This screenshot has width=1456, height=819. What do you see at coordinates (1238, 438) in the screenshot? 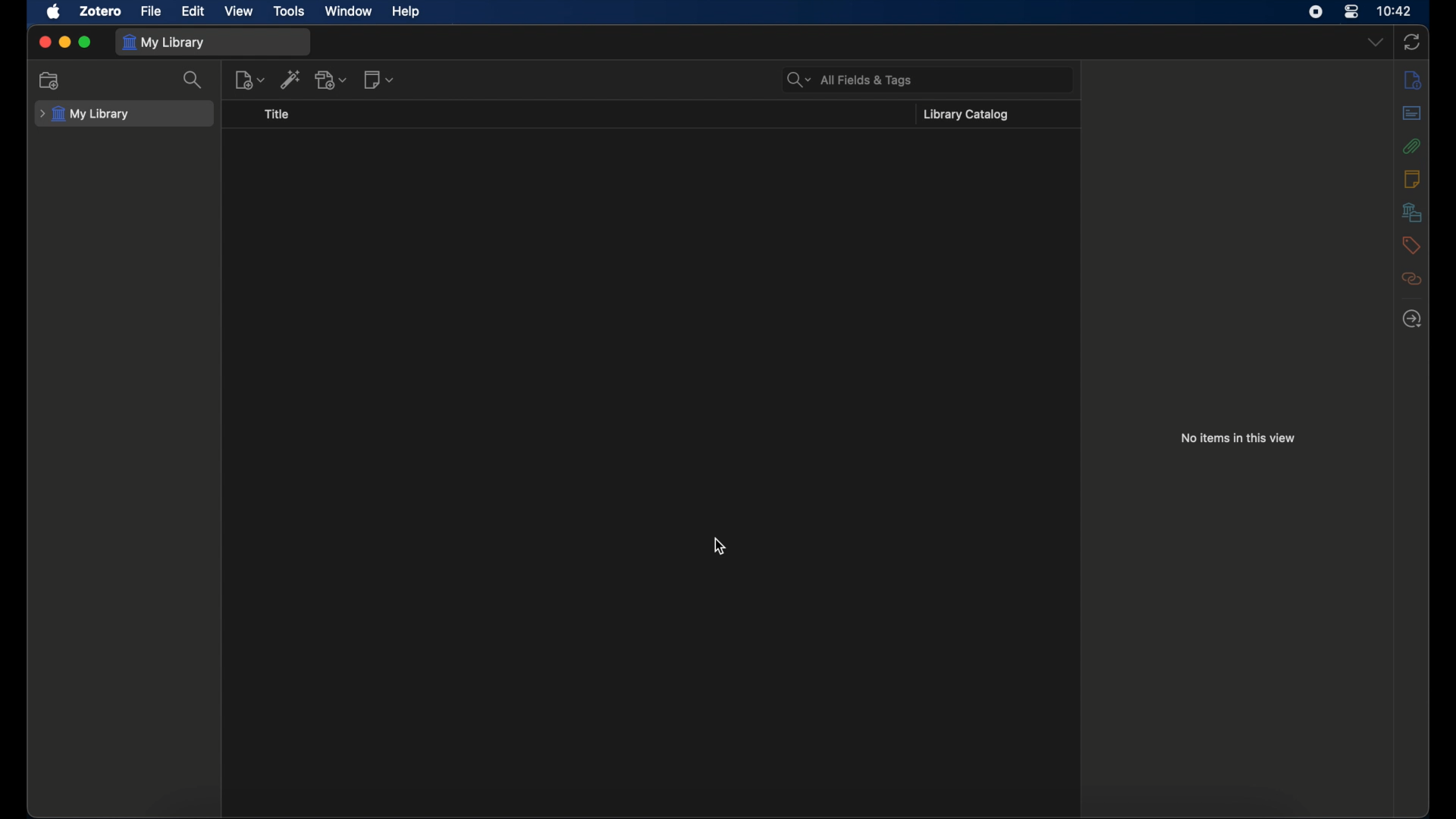
I see `no items in this view` at bounding box center [1238, 438].